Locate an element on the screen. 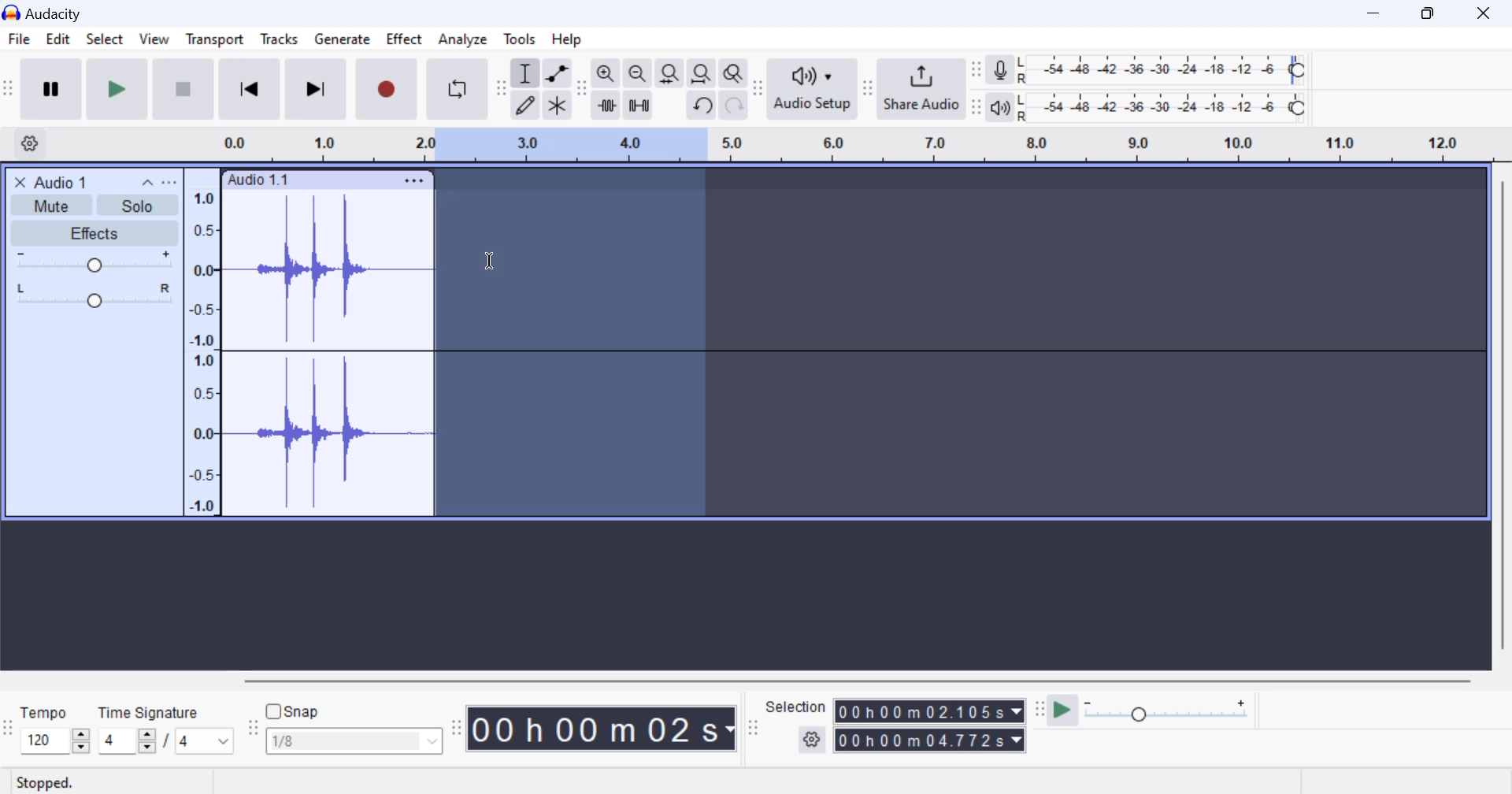  Restore Down is located at coordinates (1376, 13).